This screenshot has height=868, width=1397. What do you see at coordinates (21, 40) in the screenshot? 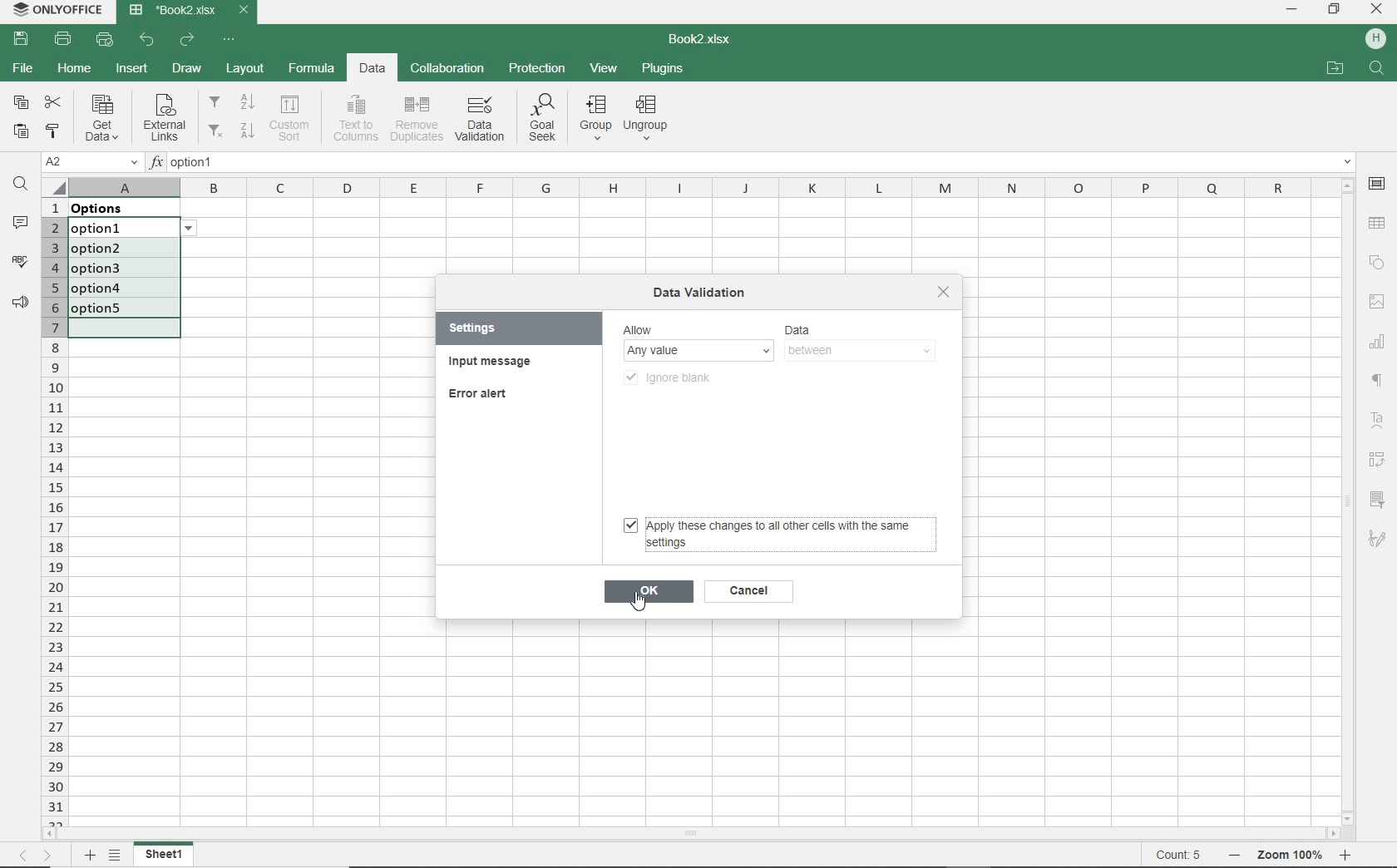
I see `SAVE` at bounding box center [21, 40].